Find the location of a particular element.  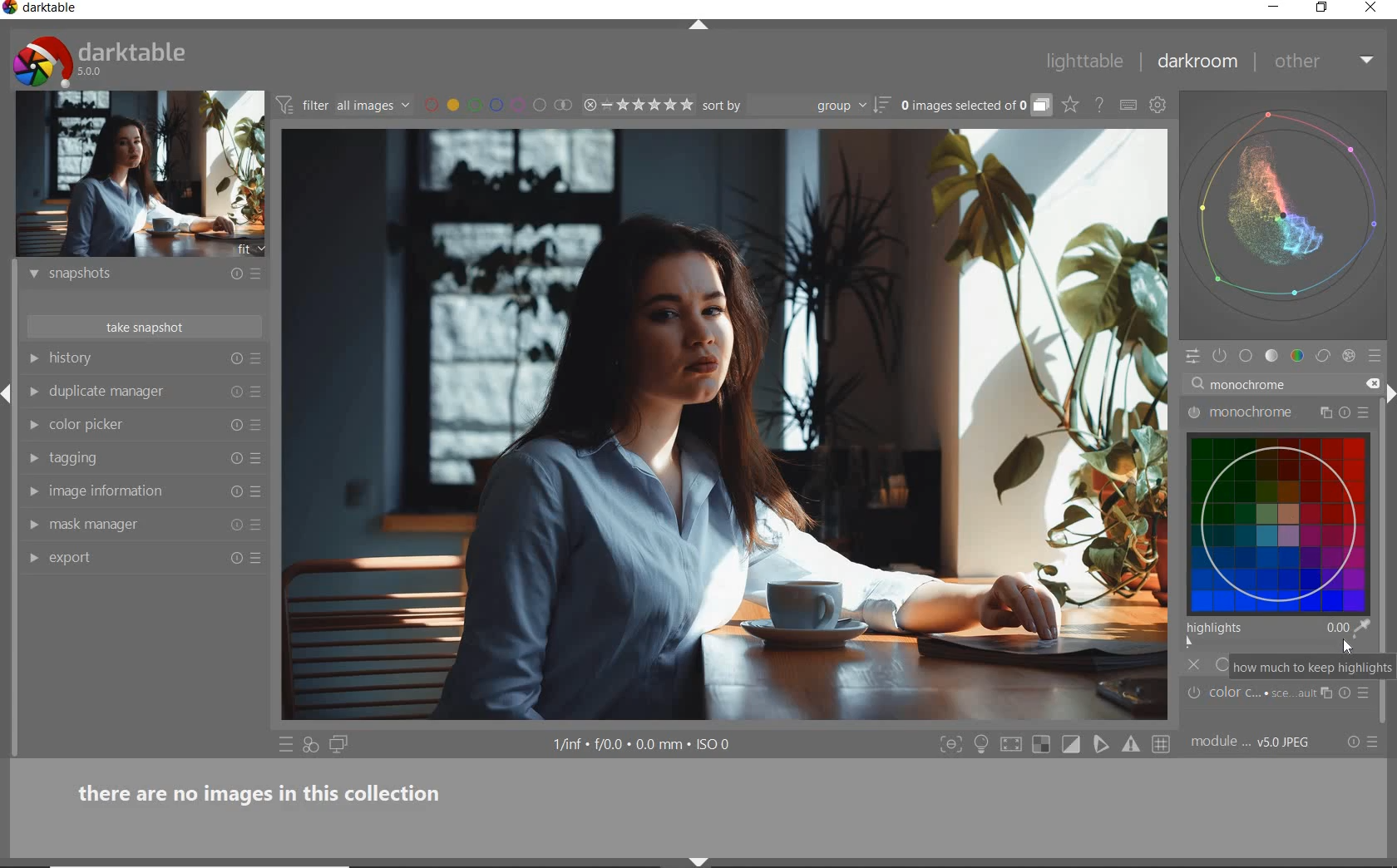

other is located at coordinates (1326, 61).